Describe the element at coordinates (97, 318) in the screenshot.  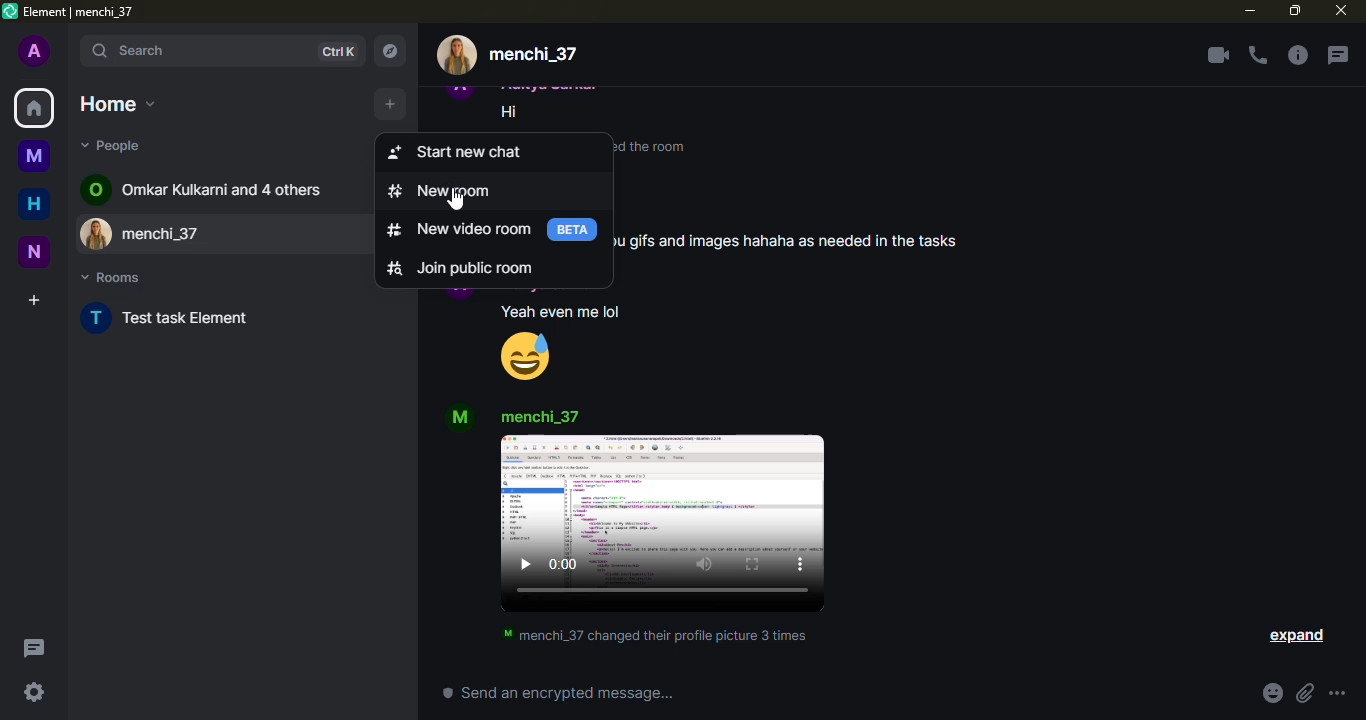
I see `Profile initial` at that location.